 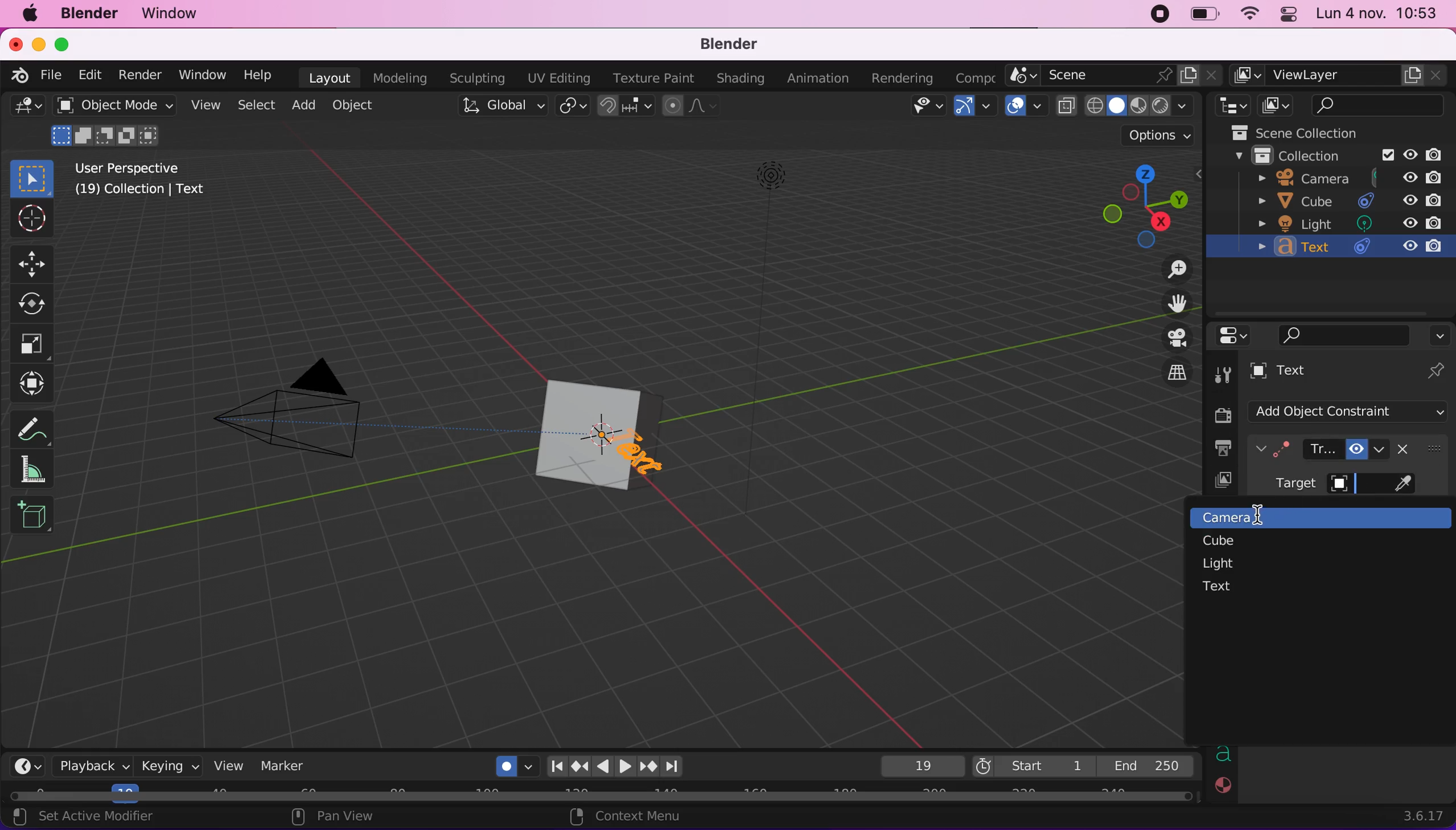 What do you see at coordinates (1023, 105) in the screenshot?
I see `overlays` at bounding box center [1023, 105].